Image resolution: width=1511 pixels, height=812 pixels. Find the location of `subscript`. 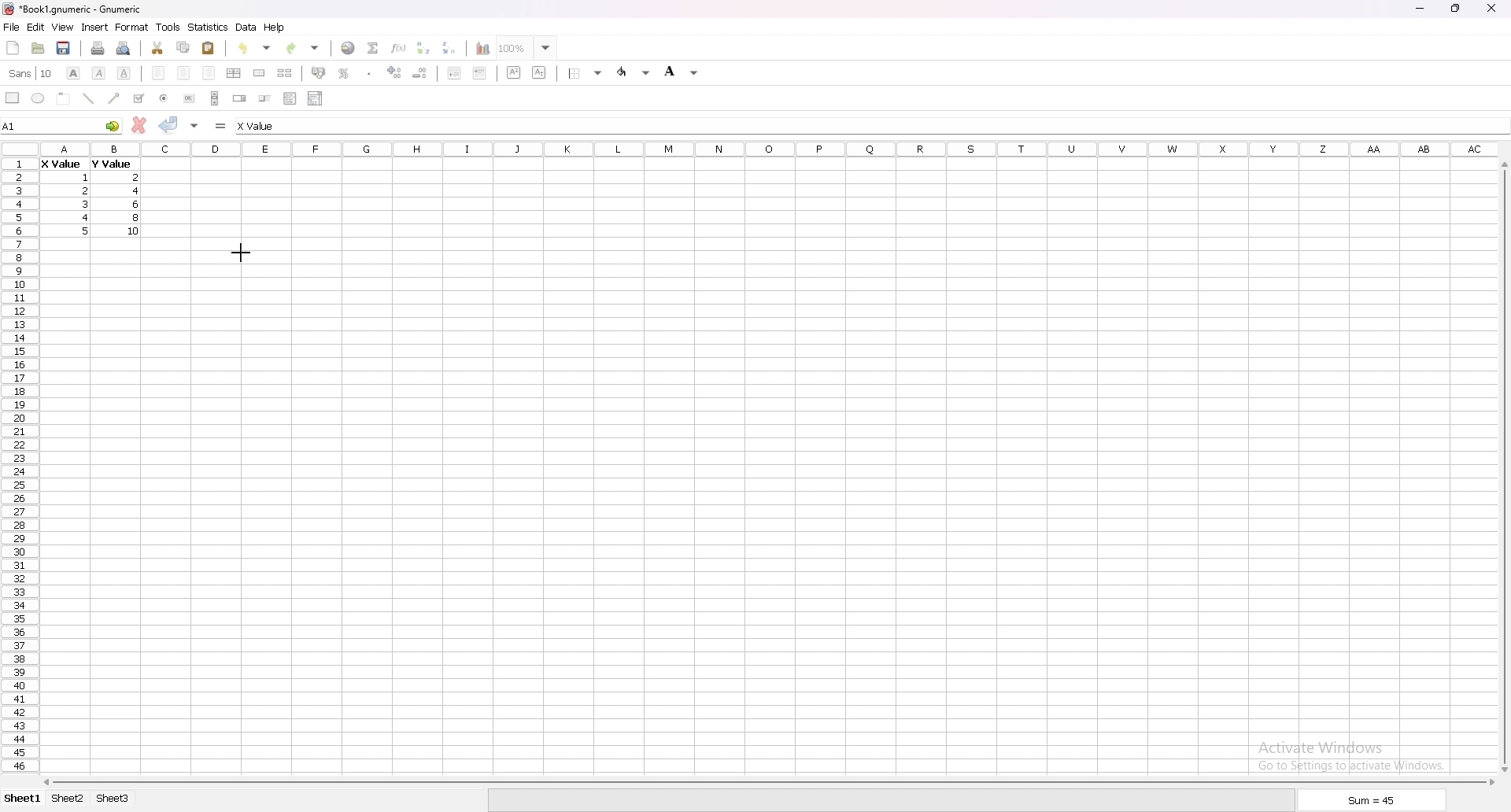

subscript is located at coordinates (540, 72).